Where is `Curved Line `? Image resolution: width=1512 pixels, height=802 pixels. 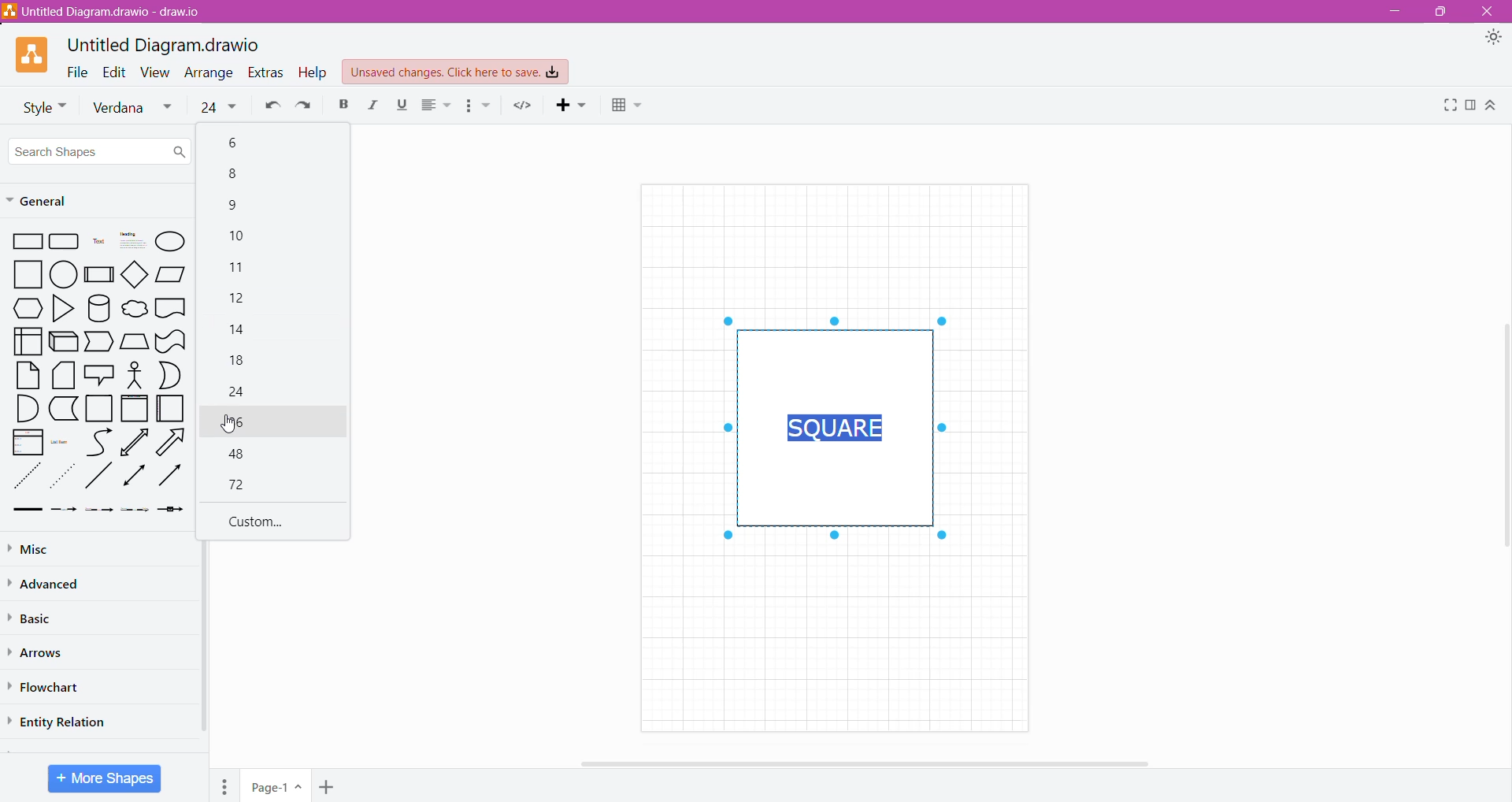 Curved Line  is located at coordinates (98, 443).